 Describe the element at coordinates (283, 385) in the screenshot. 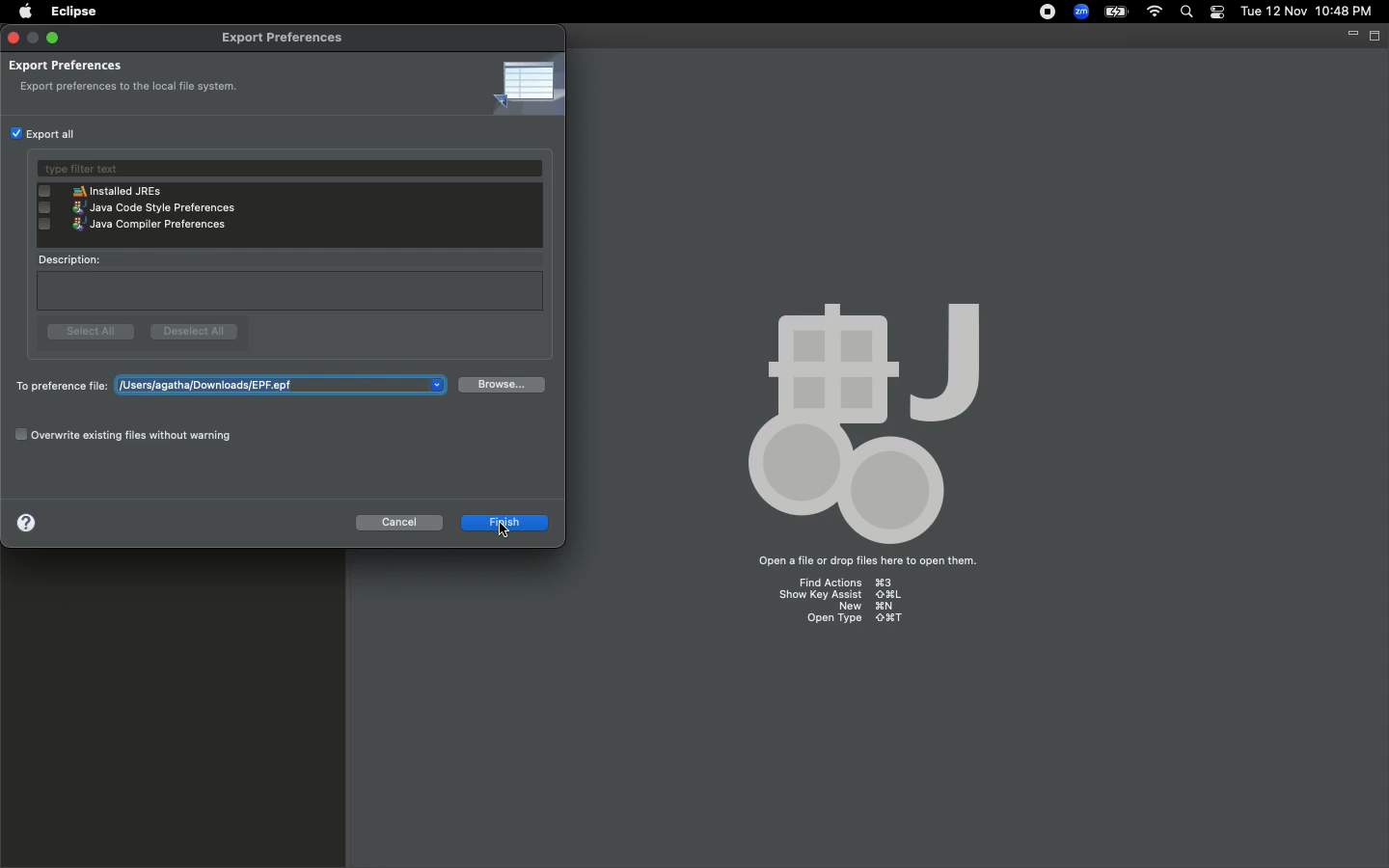

I see `users/agatha/downloads/untitled.epf` at that location.